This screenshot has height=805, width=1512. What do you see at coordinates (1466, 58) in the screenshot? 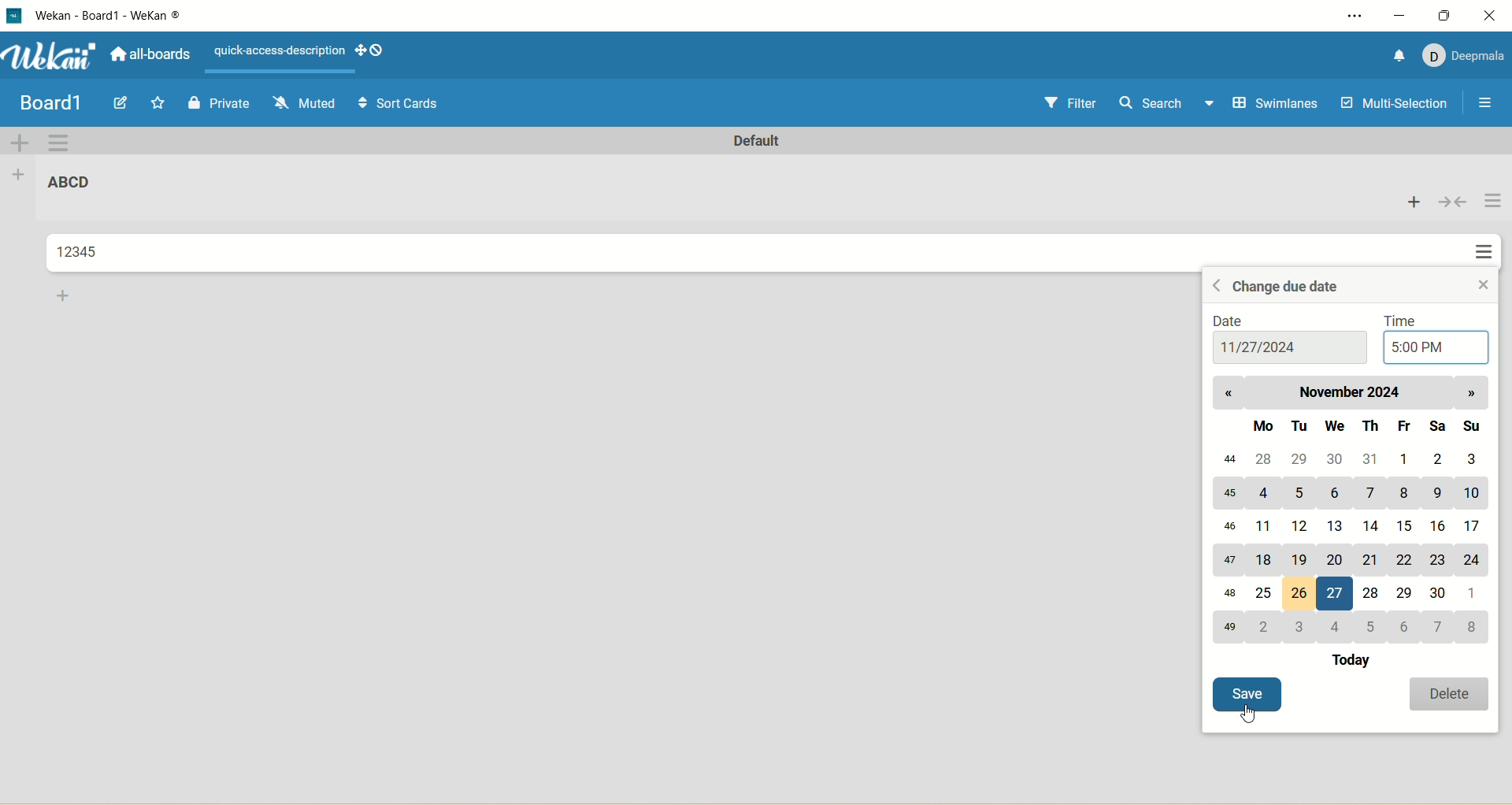
I see `account` at bounding box center [1466, 58].